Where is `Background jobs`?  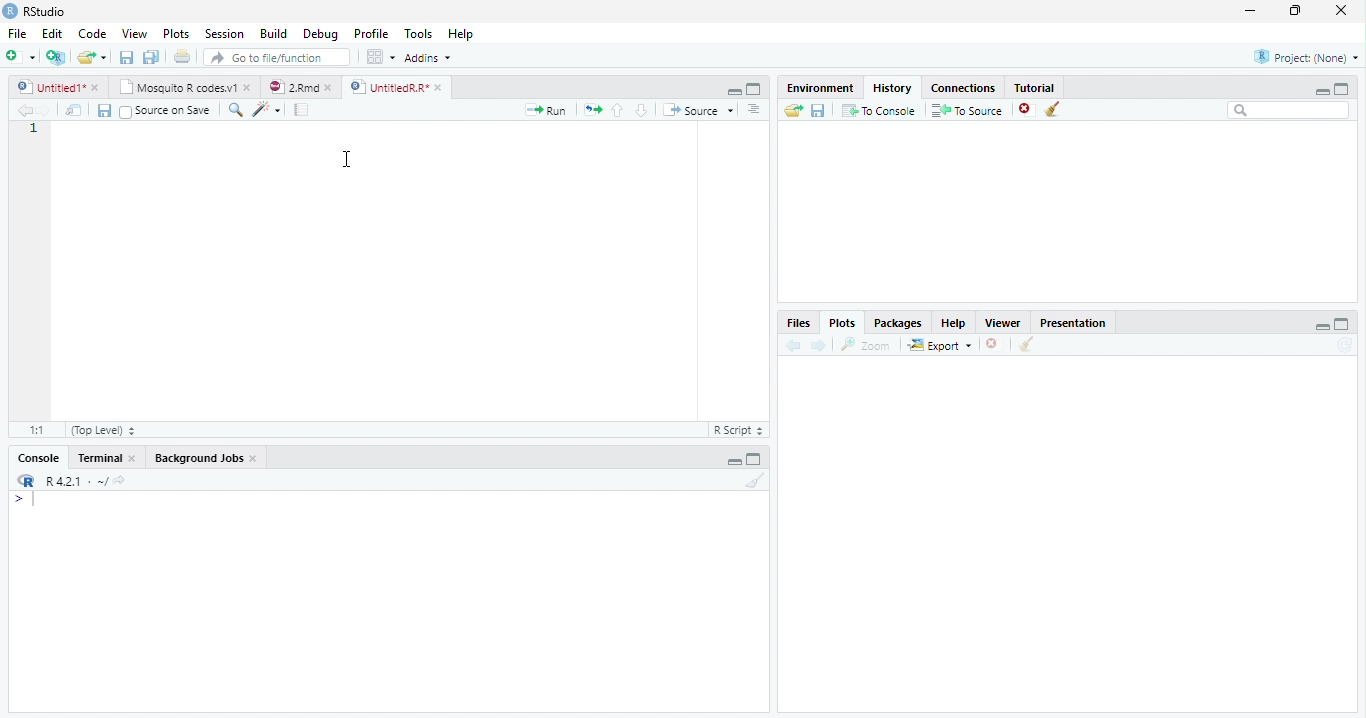
Background jobs is located at coordinates (206, 458).